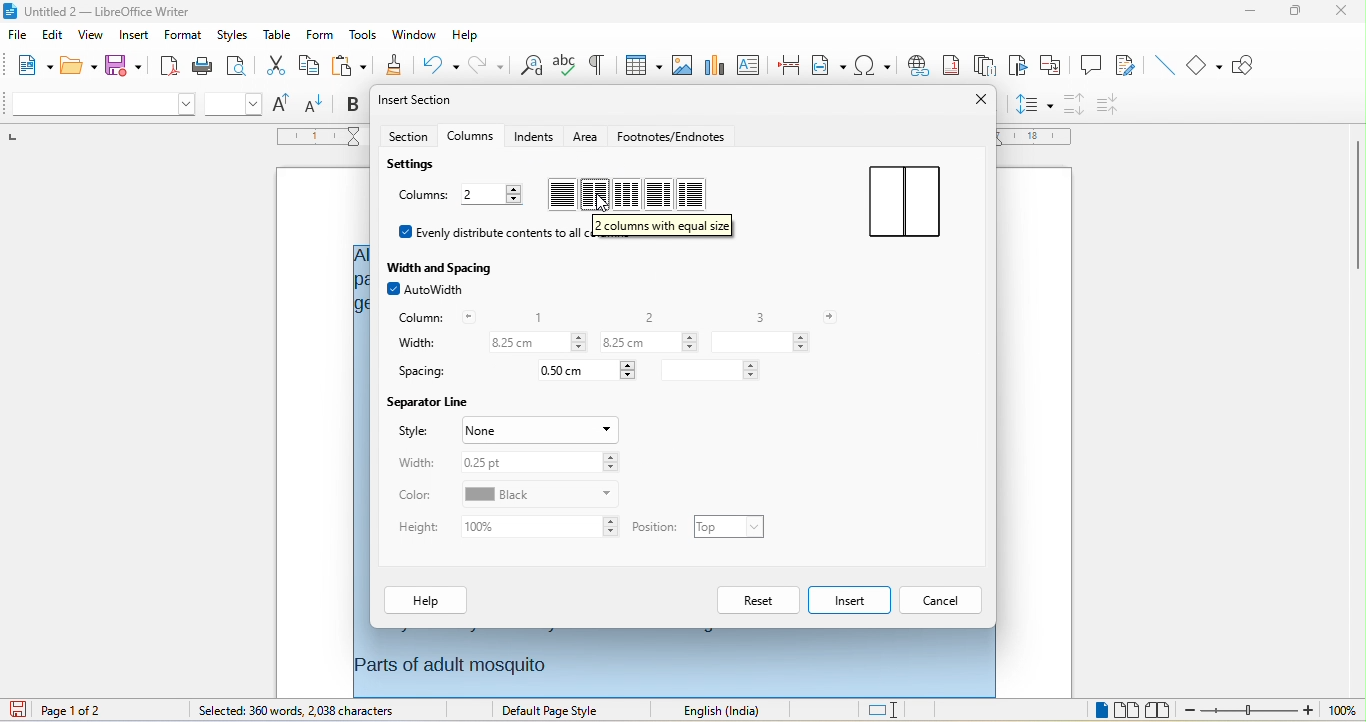 This screenshot has width=1366, height=722. Describe the element at coordinates (203, 64) in the screenshot. I see `print` at that location.